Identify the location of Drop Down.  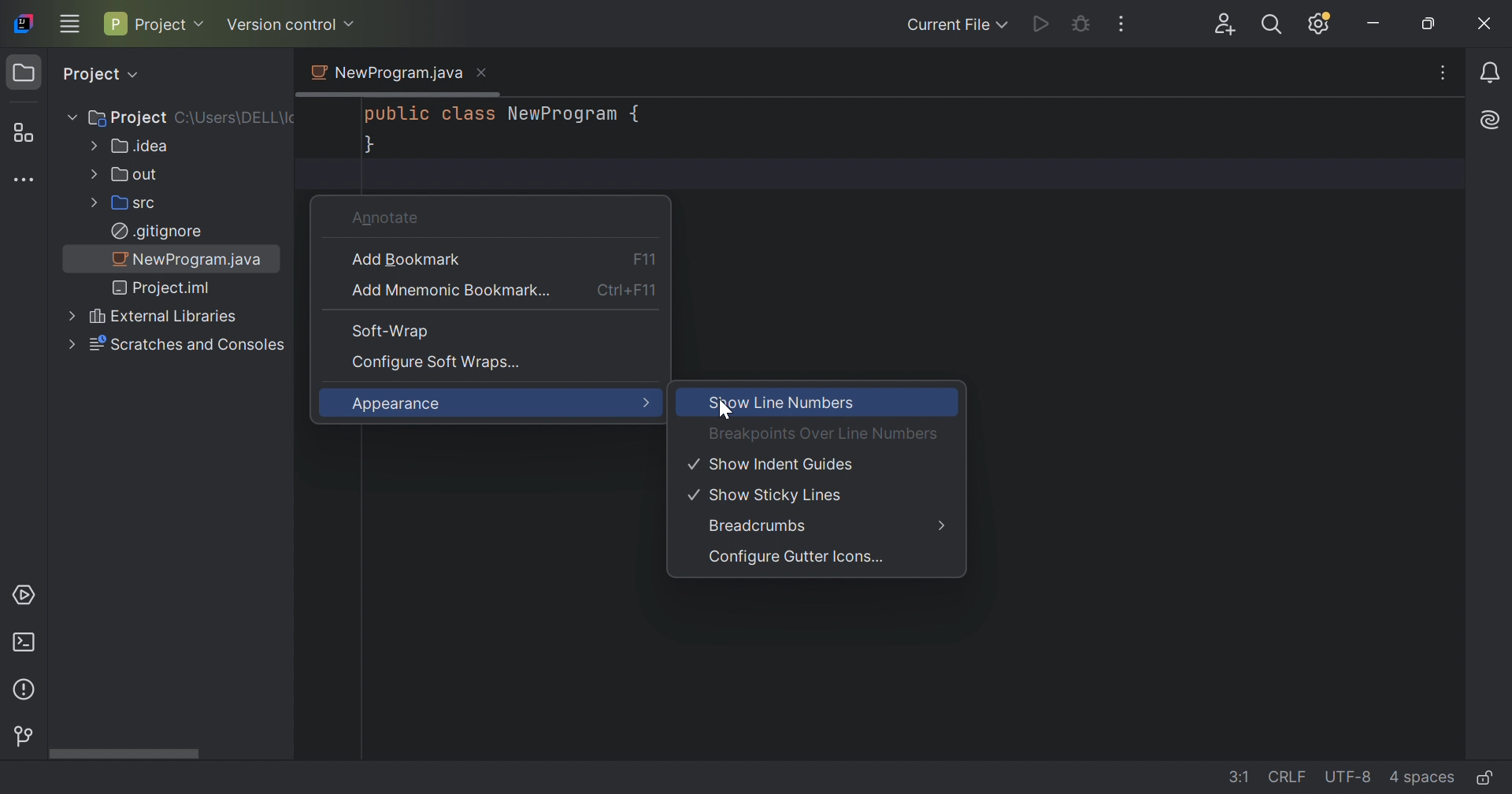
(1005, 25).